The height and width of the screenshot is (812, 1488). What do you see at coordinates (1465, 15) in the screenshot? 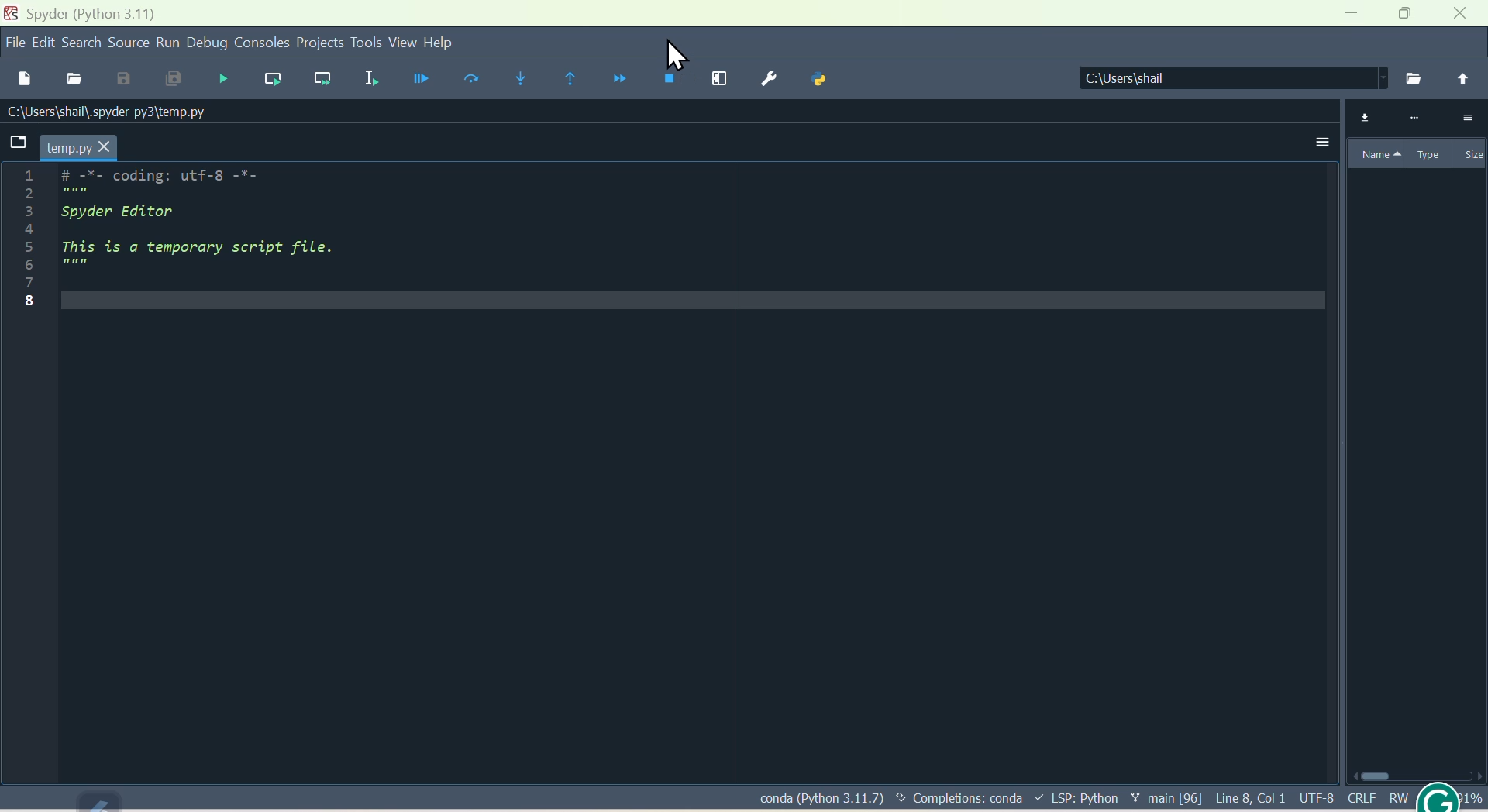
I see `Close` at bounding box center [1465, 15].